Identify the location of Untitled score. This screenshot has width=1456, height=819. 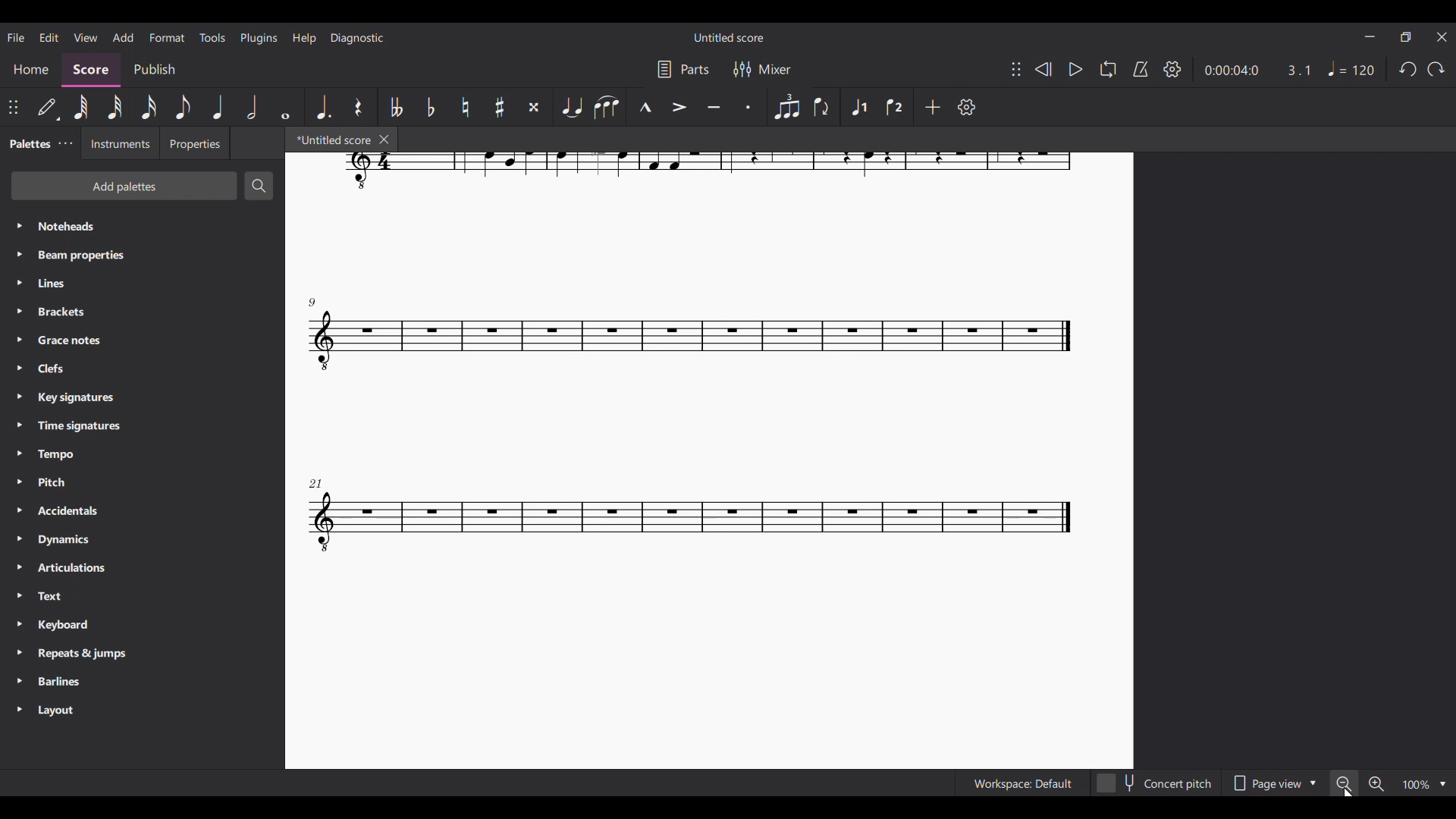
(729, 38).